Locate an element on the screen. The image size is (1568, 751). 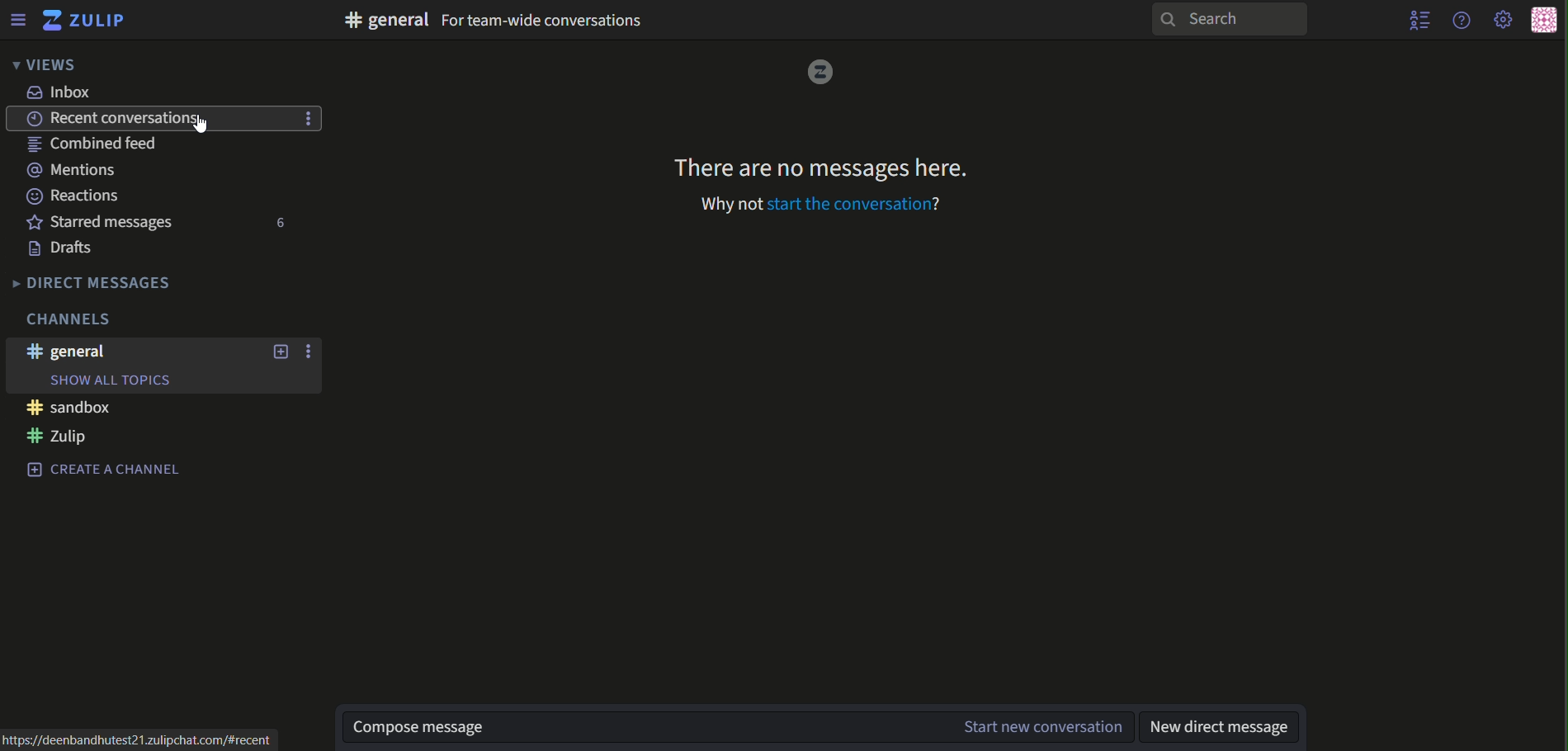
text is located at coordinates (93, 282).